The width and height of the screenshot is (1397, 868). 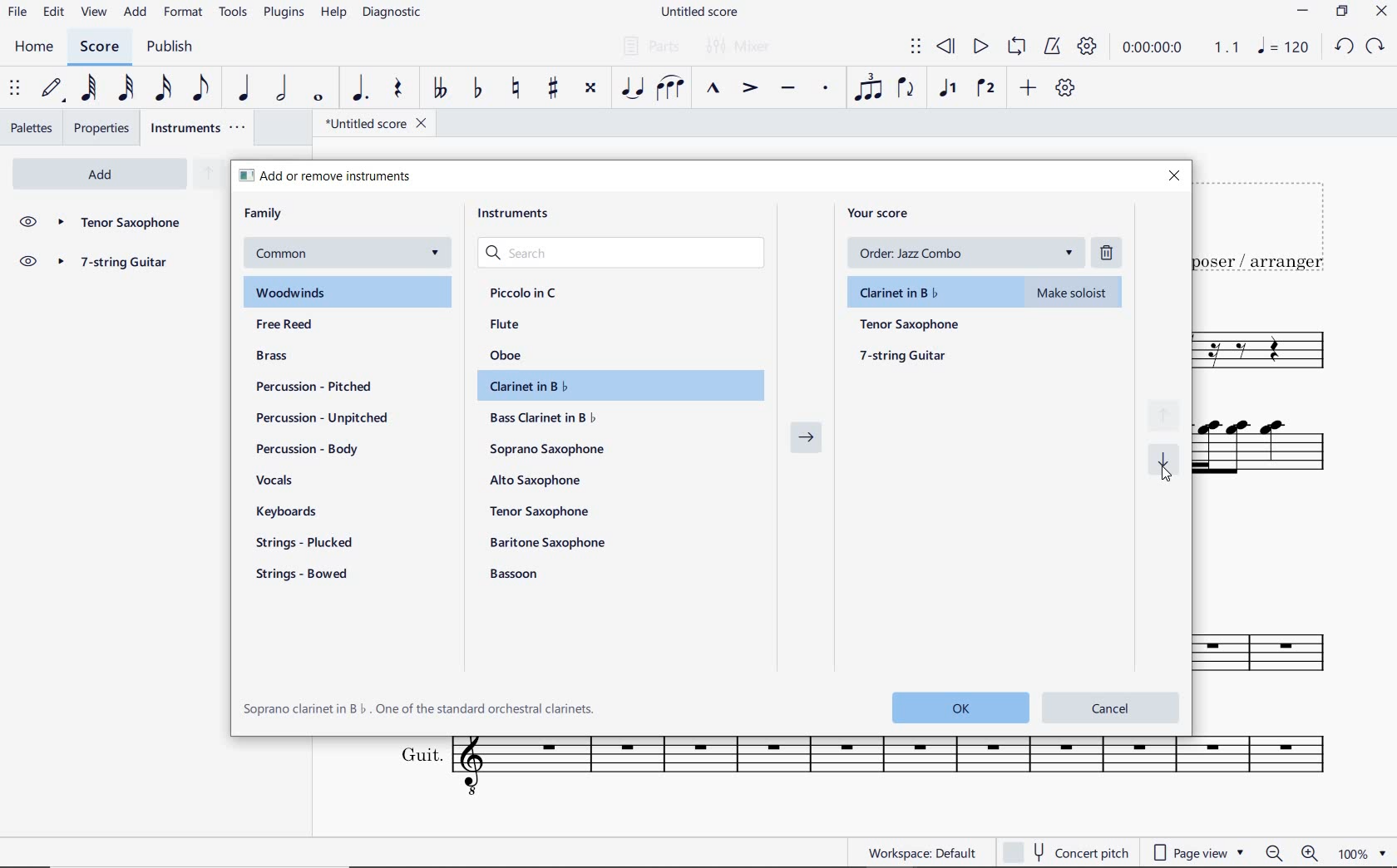 I want to click on FILE NAME, so click(x=698, y=13).